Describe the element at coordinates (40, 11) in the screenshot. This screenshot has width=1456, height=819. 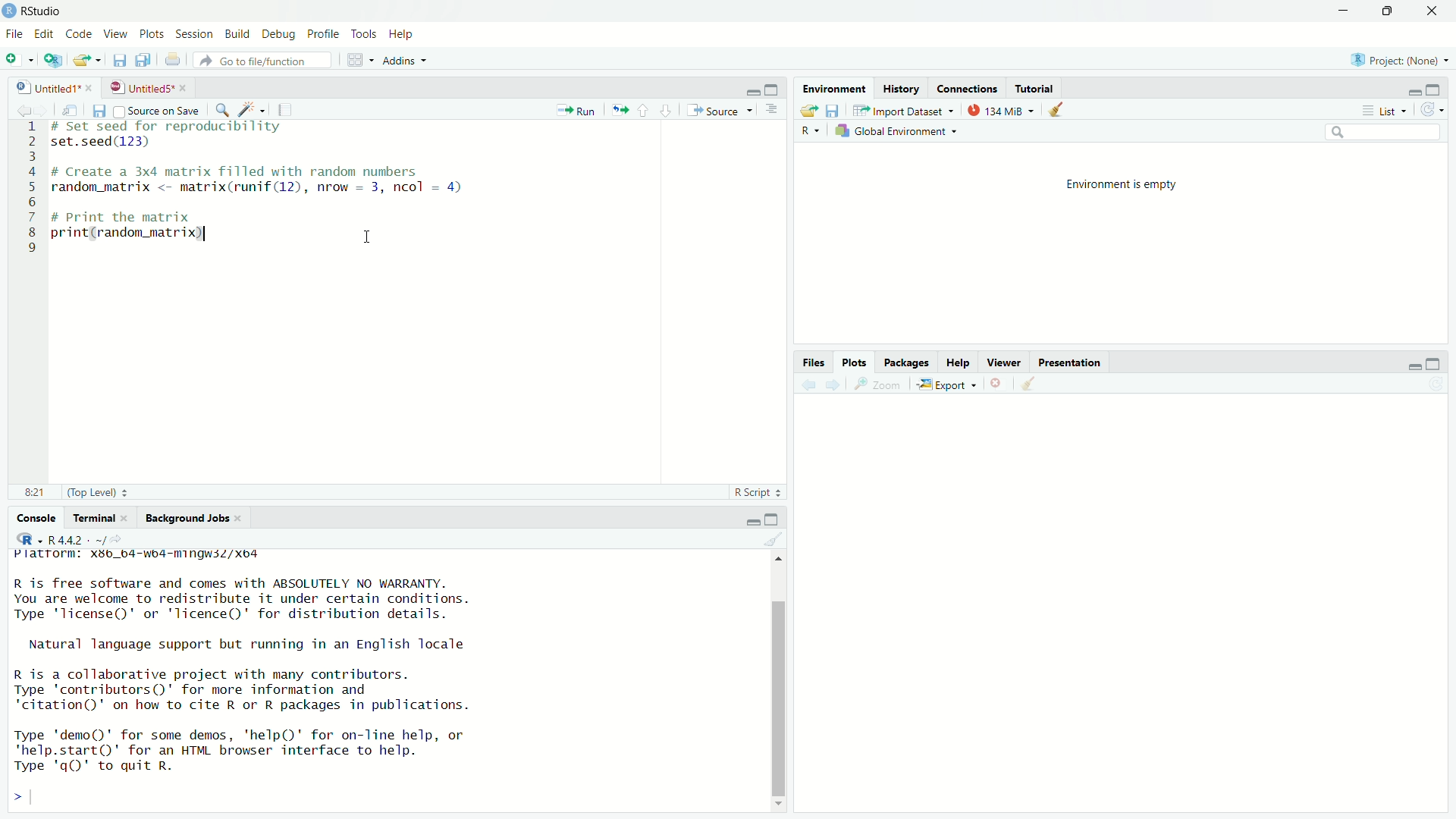
I see `RStudio` at that location.